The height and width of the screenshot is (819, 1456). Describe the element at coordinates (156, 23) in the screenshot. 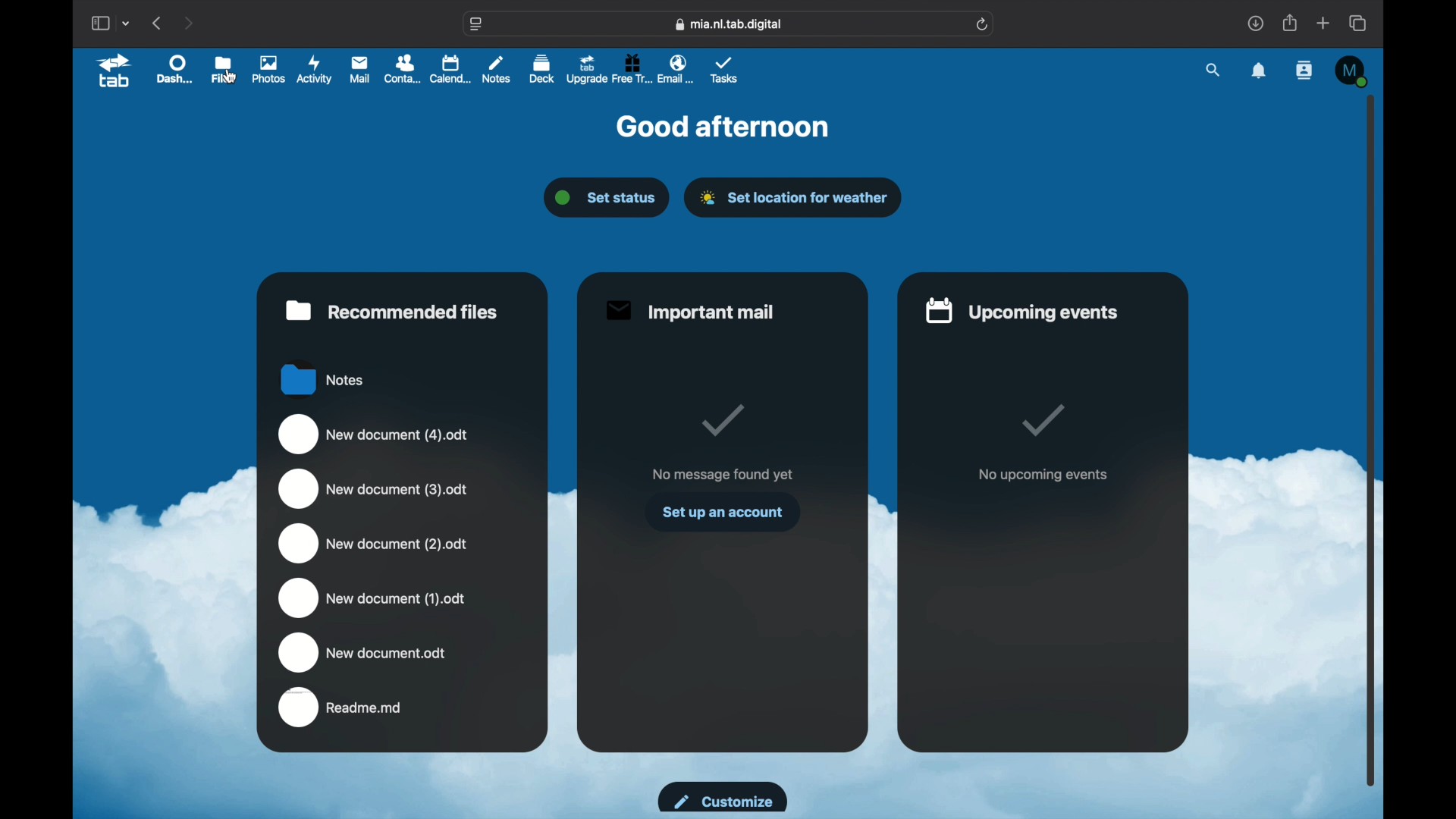

I see `previous` at that location.